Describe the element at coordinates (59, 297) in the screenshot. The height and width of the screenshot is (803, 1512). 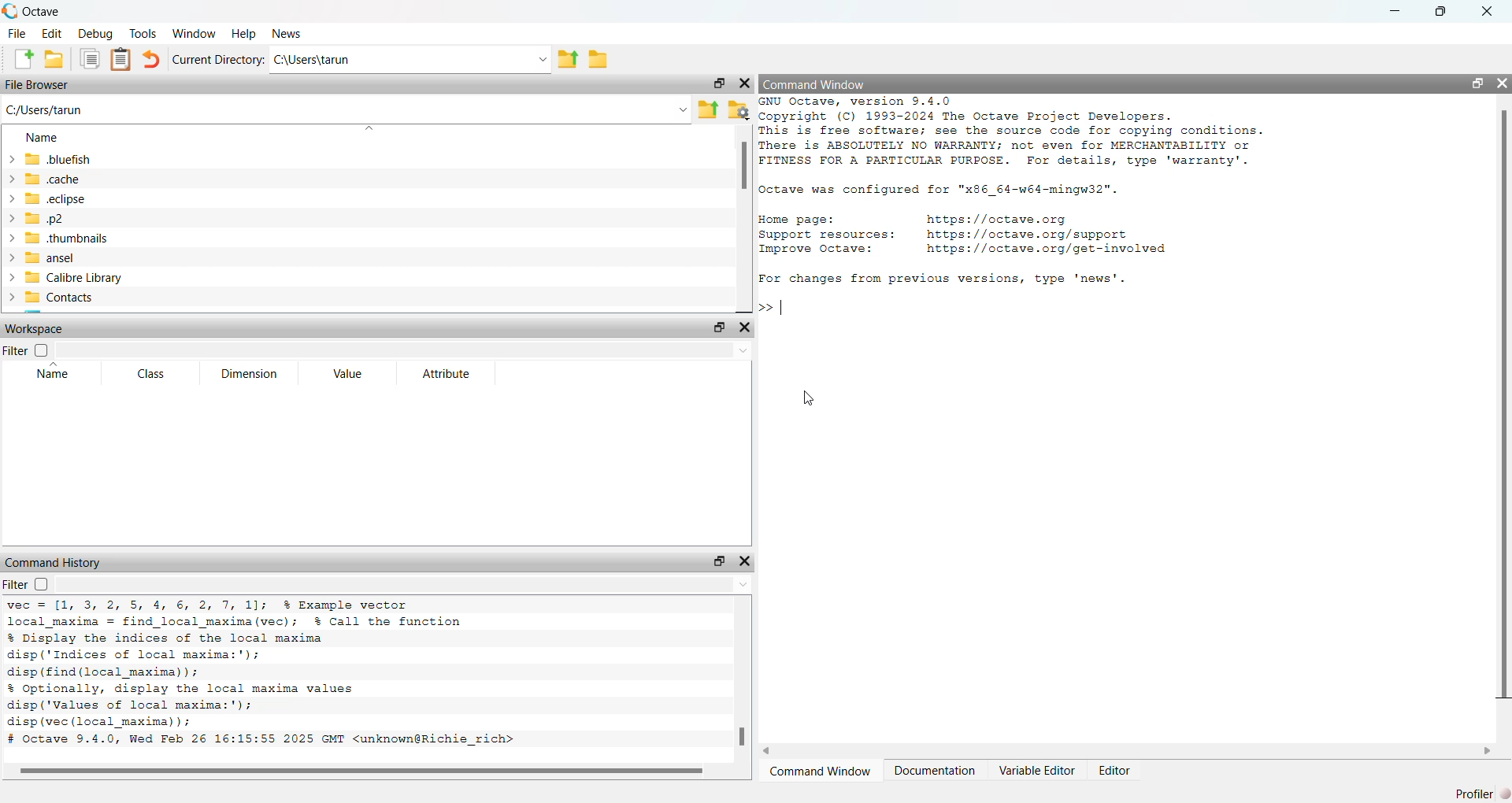
I see `Contacts` at that location.